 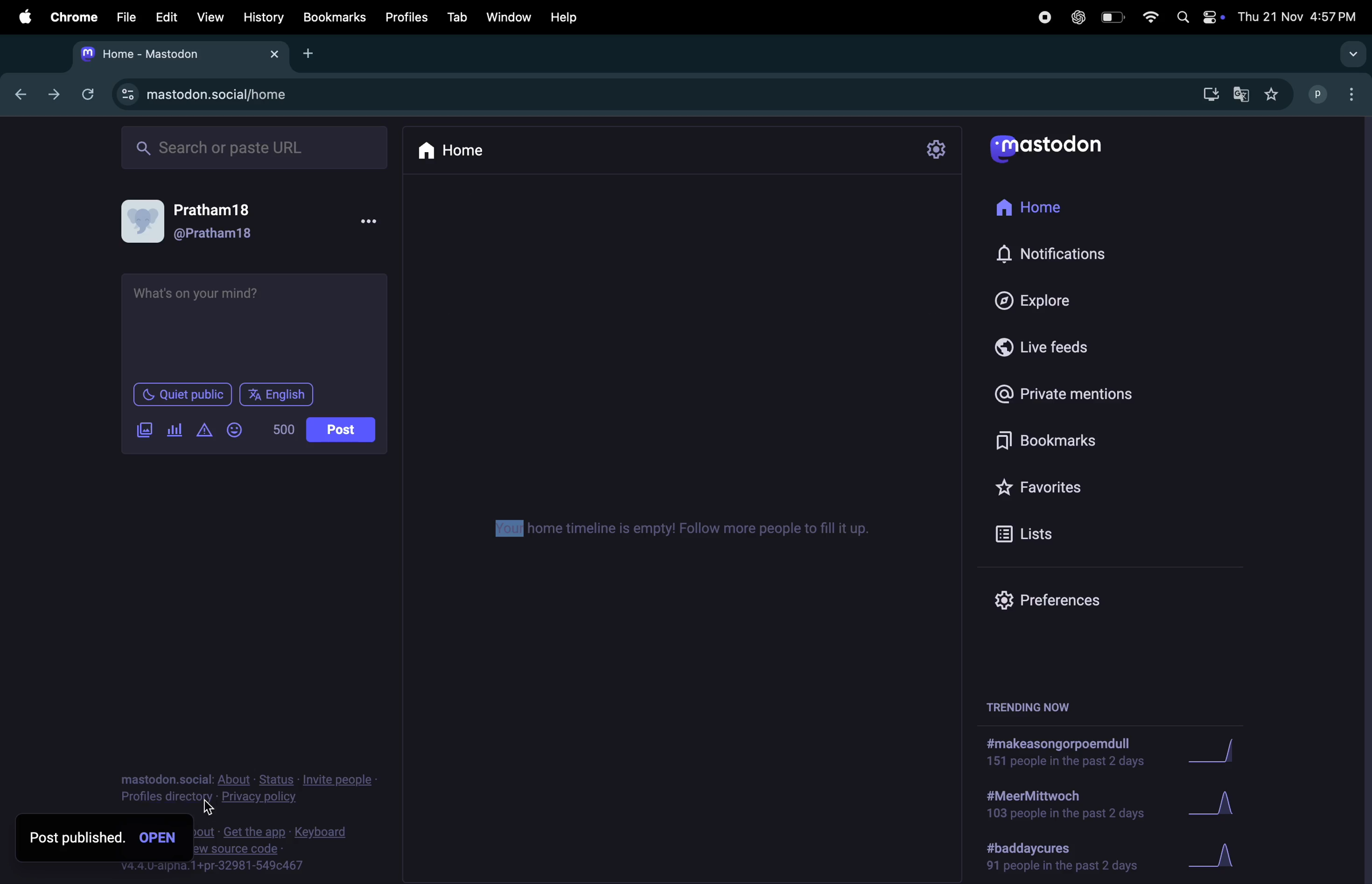 I want to click on smiley, so click(x=237, y=431).